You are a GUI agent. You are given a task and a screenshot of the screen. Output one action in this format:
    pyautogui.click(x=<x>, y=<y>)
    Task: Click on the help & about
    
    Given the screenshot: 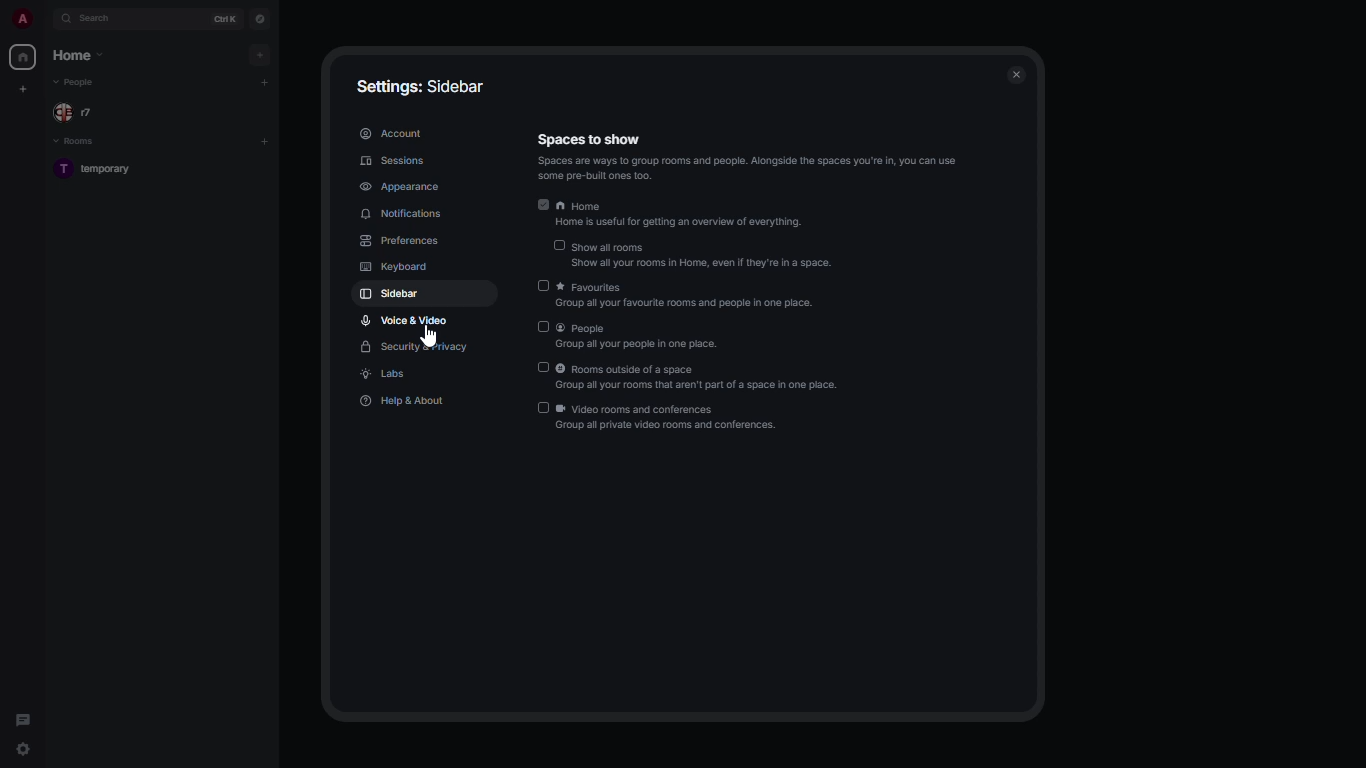 What is the action you would take?
    pyautogui.click(x=404, y=398)
    